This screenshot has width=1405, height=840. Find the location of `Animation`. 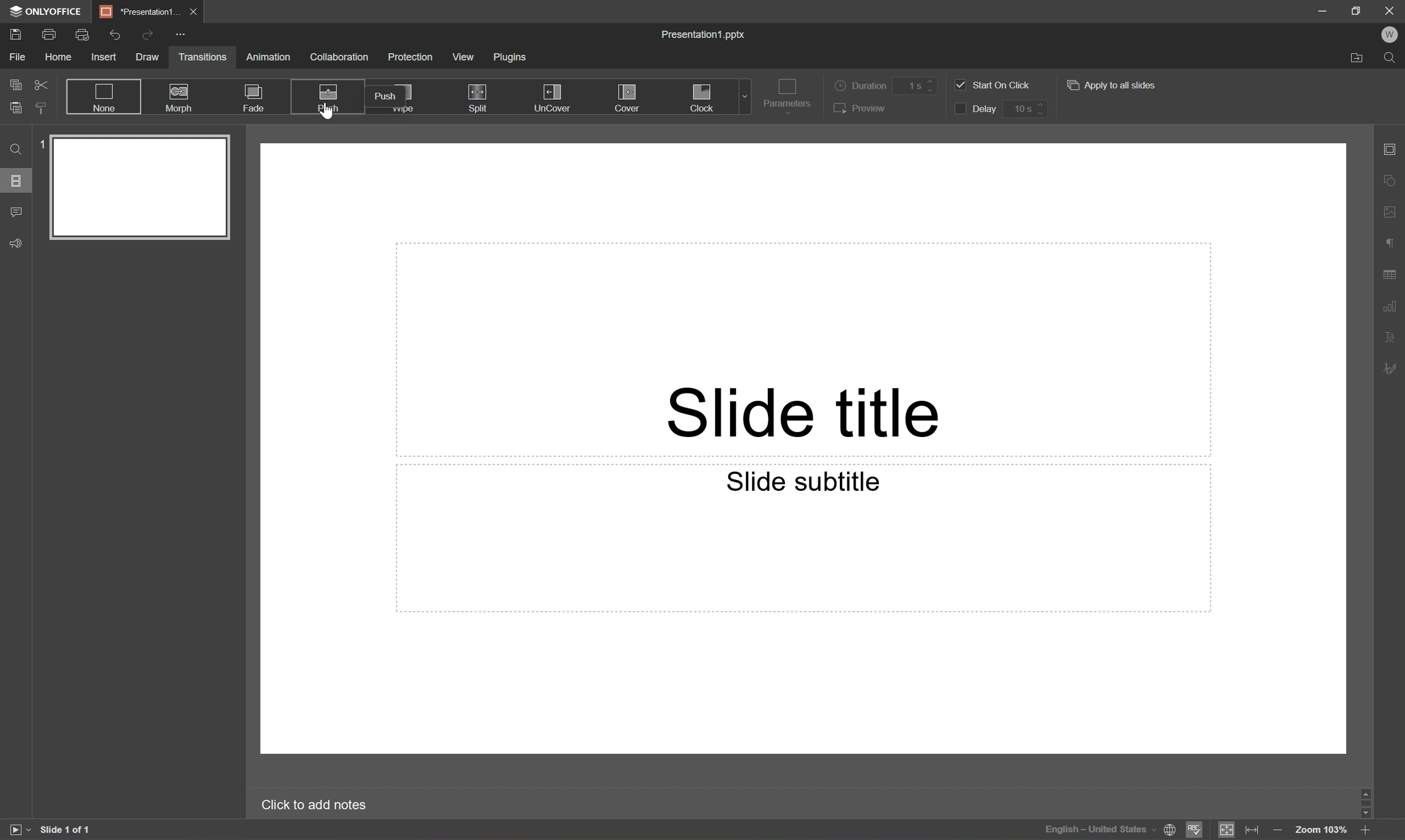

Animation is located at coordinates (268, 56).